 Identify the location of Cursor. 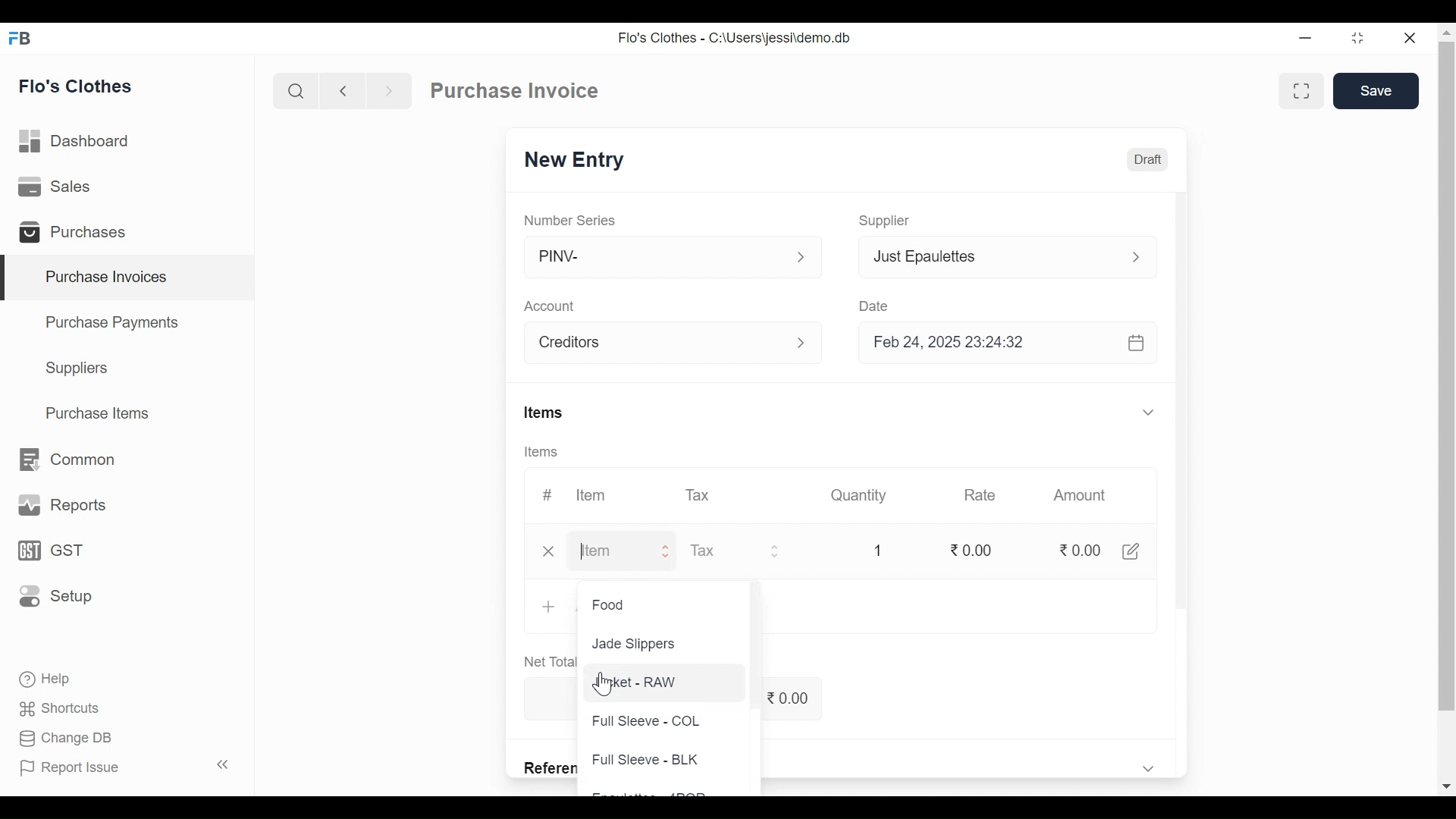
(607, 688).